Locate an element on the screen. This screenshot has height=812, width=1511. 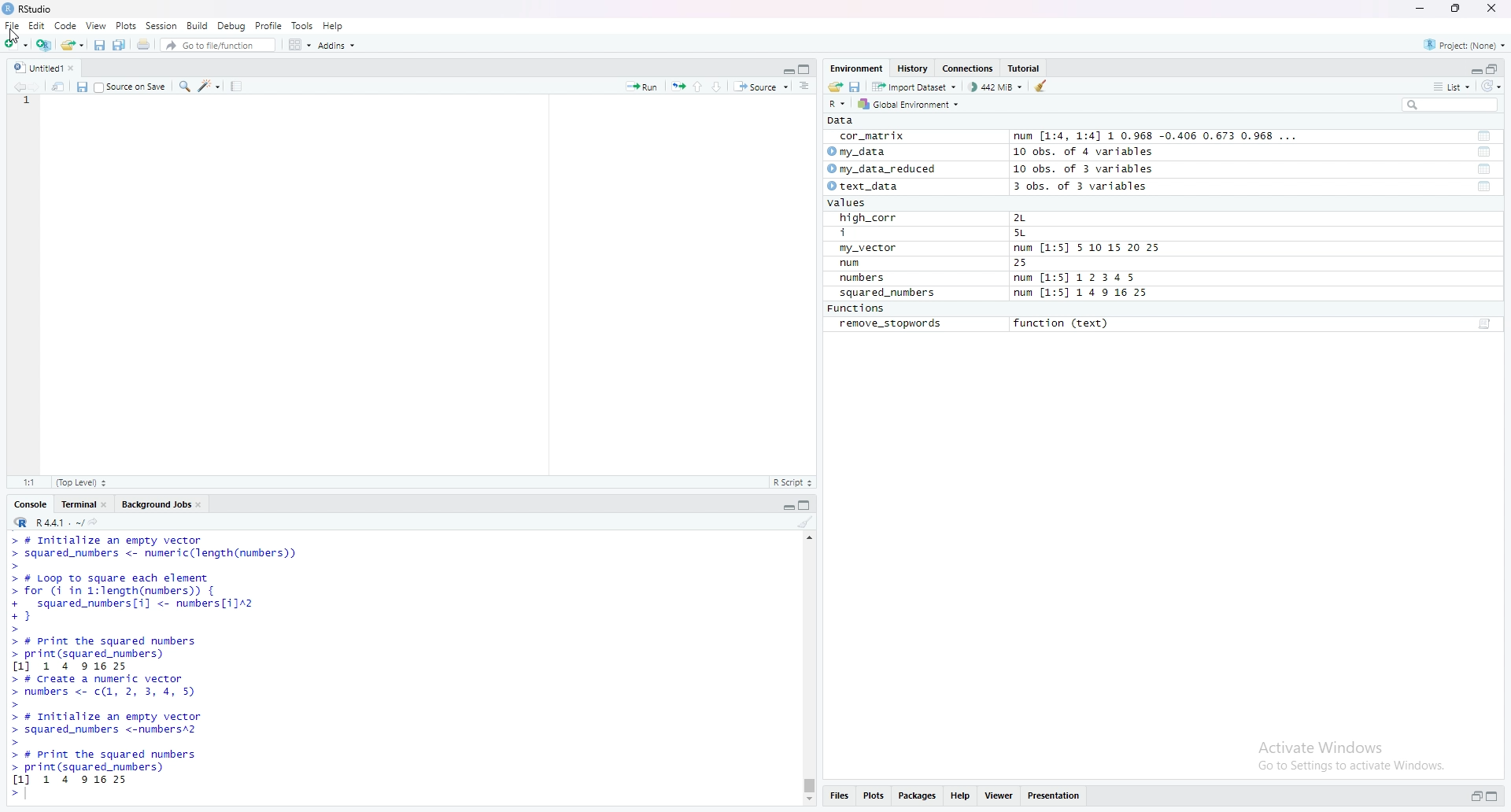
2L is located at coordinates (1040, 218).